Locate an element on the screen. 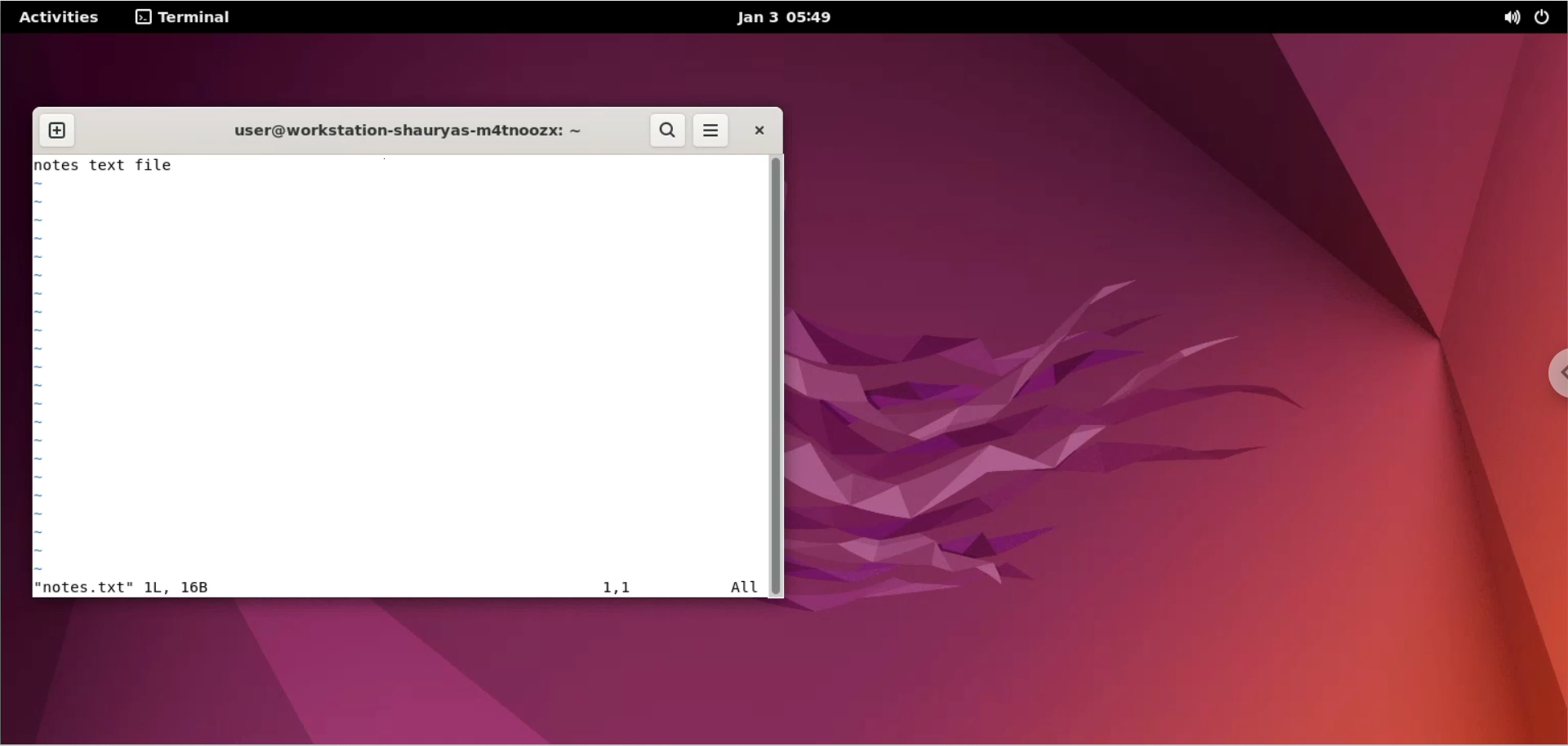 This screenshot has width=1568, height=746. 1l, is located at coordinates (158, 588).